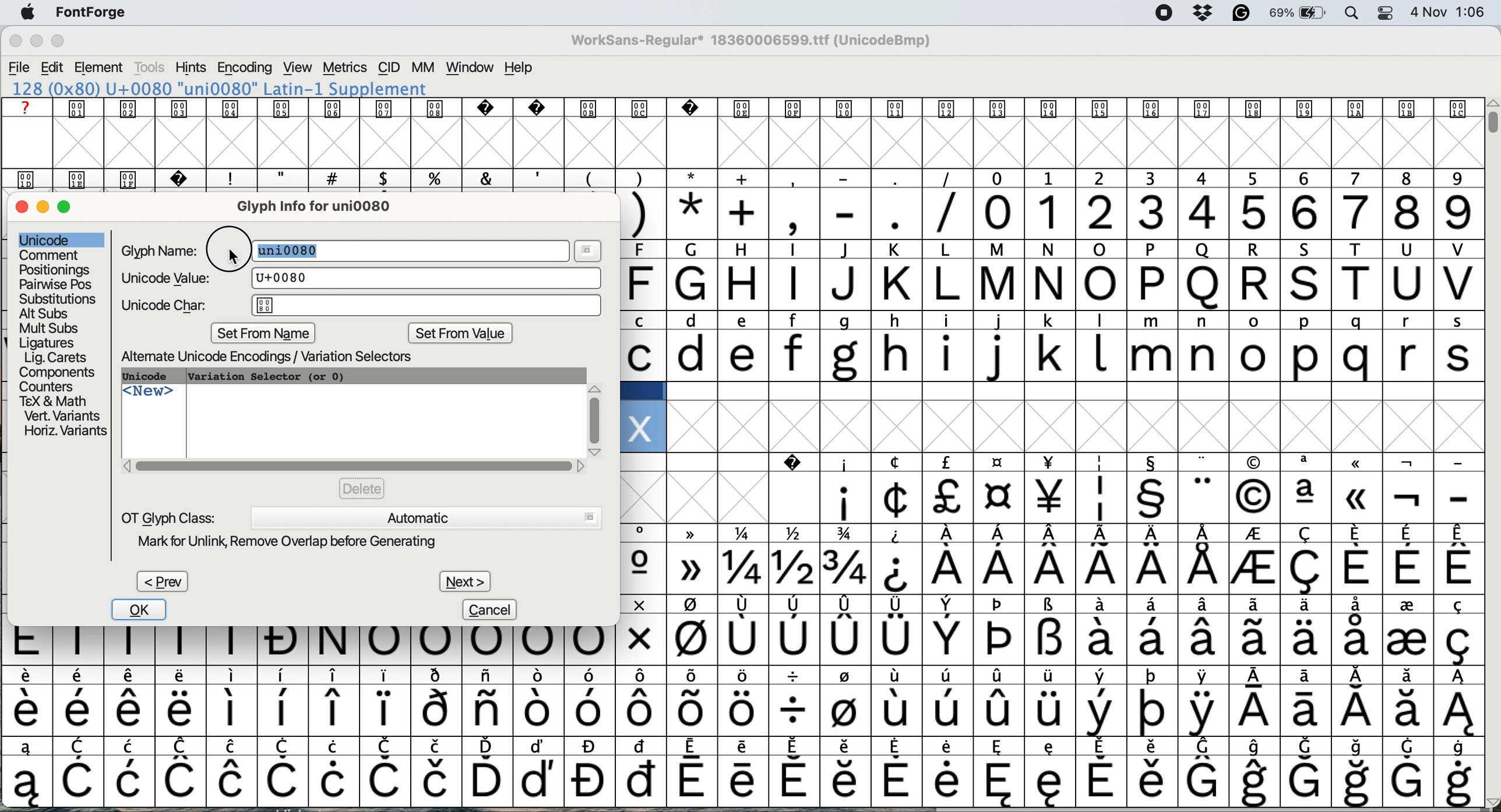 The image size is (1501, 812). What do you see at coordinates (52, 400) in the screenshot?
I see `tex and math` at bounding box center [52, 400].